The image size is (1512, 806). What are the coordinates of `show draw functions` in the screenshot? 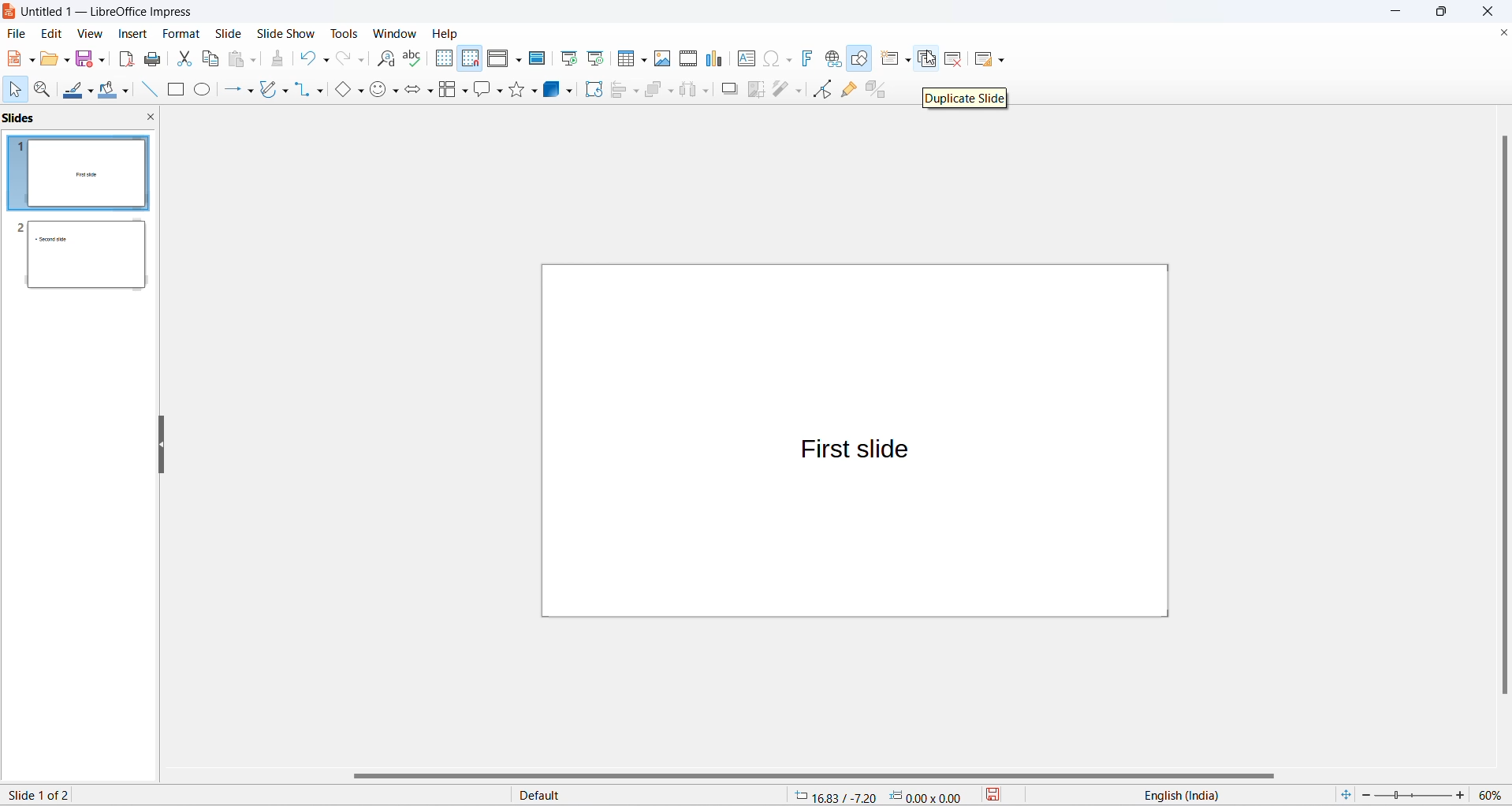 It's located at (859, 58).